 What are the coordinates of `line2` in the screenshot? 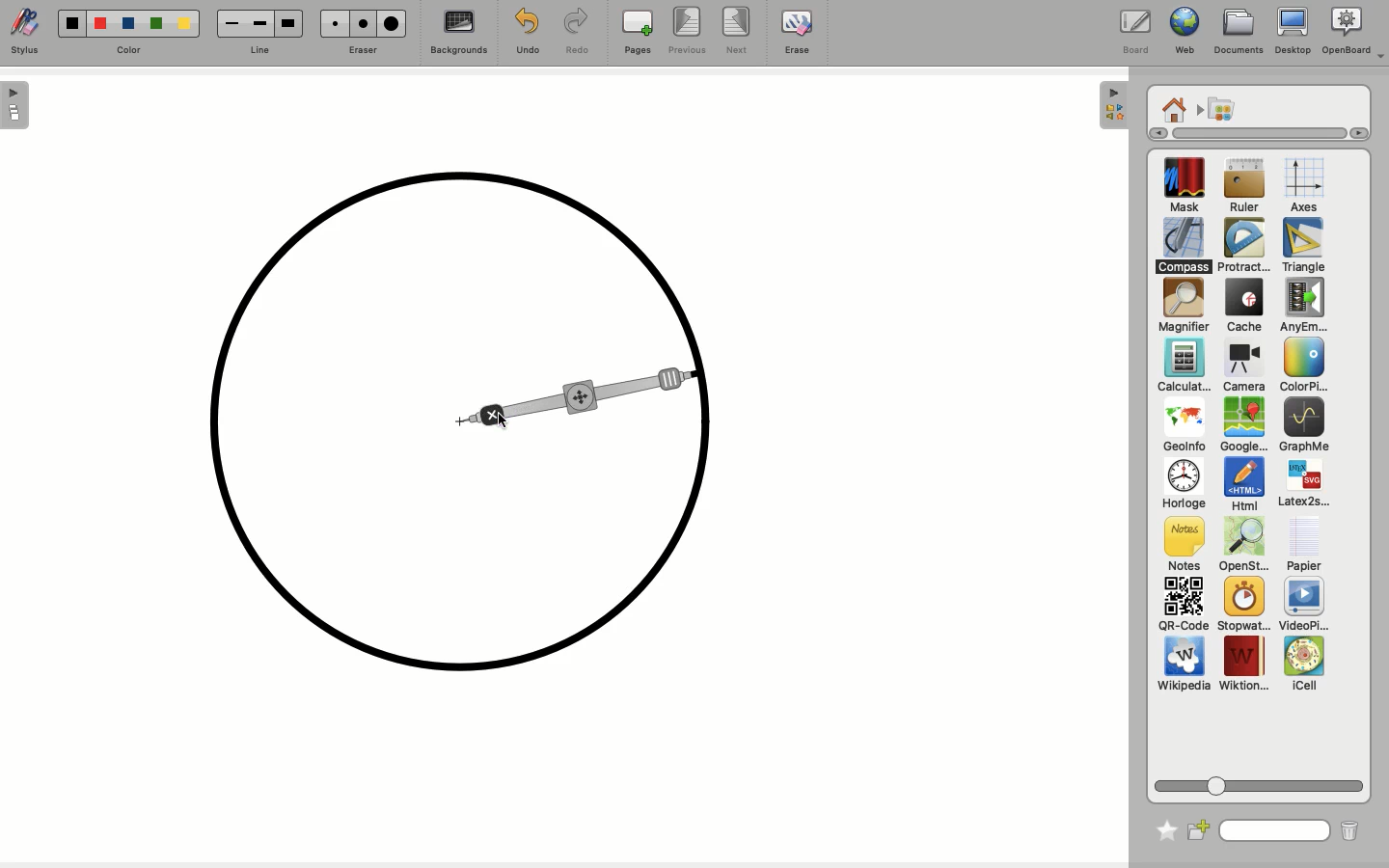 It's located at (259, 23).